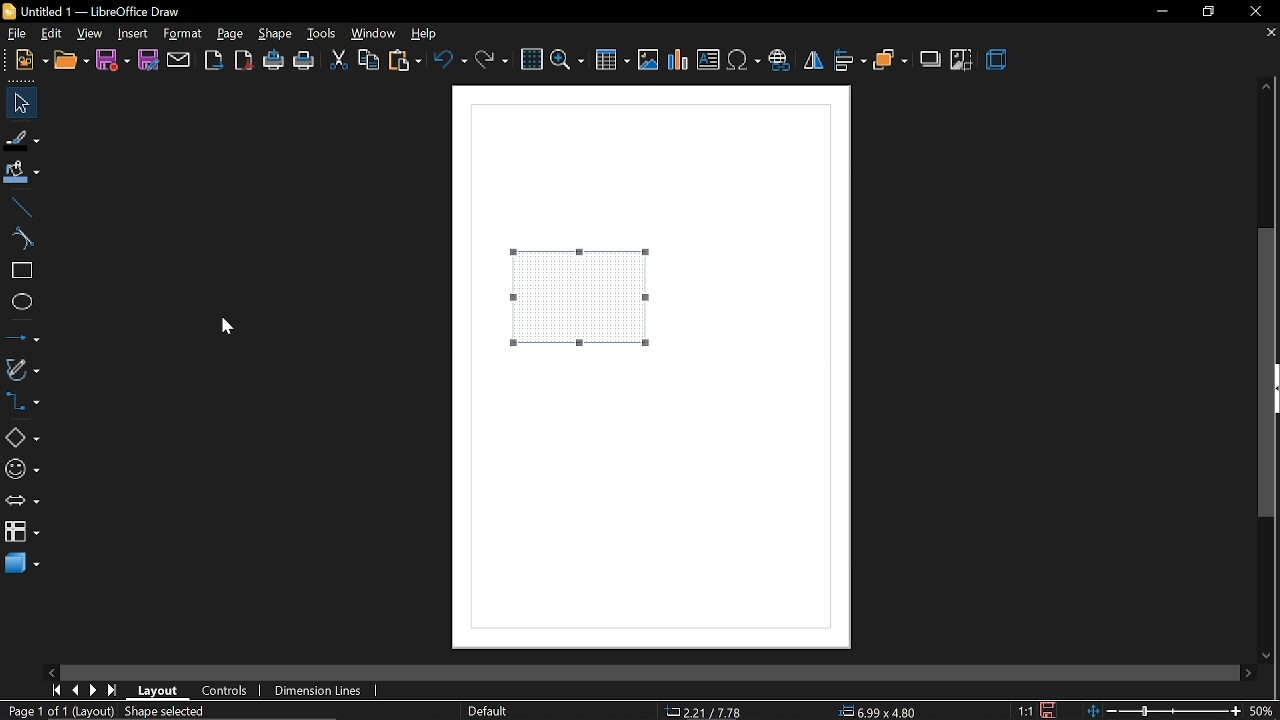 The image size is (1280, 720). What do you see at coordinates (20, 401) in the screenshot?
I see `connector` at bounding box center [20, 401].